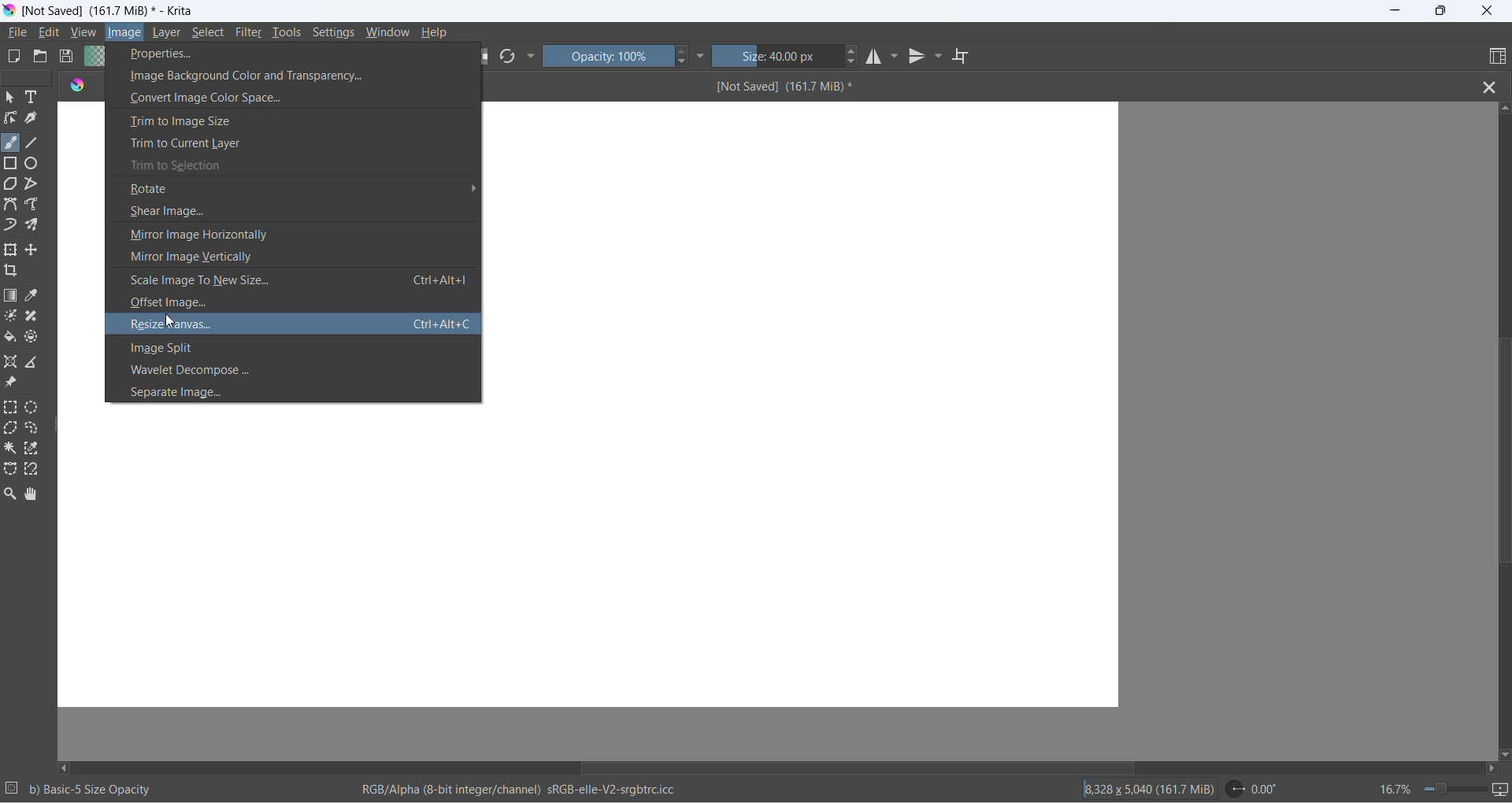 Image resolution: width=1512 pixels, height=803 pixels. I want to click on reload the original presets, so click(511, 58).